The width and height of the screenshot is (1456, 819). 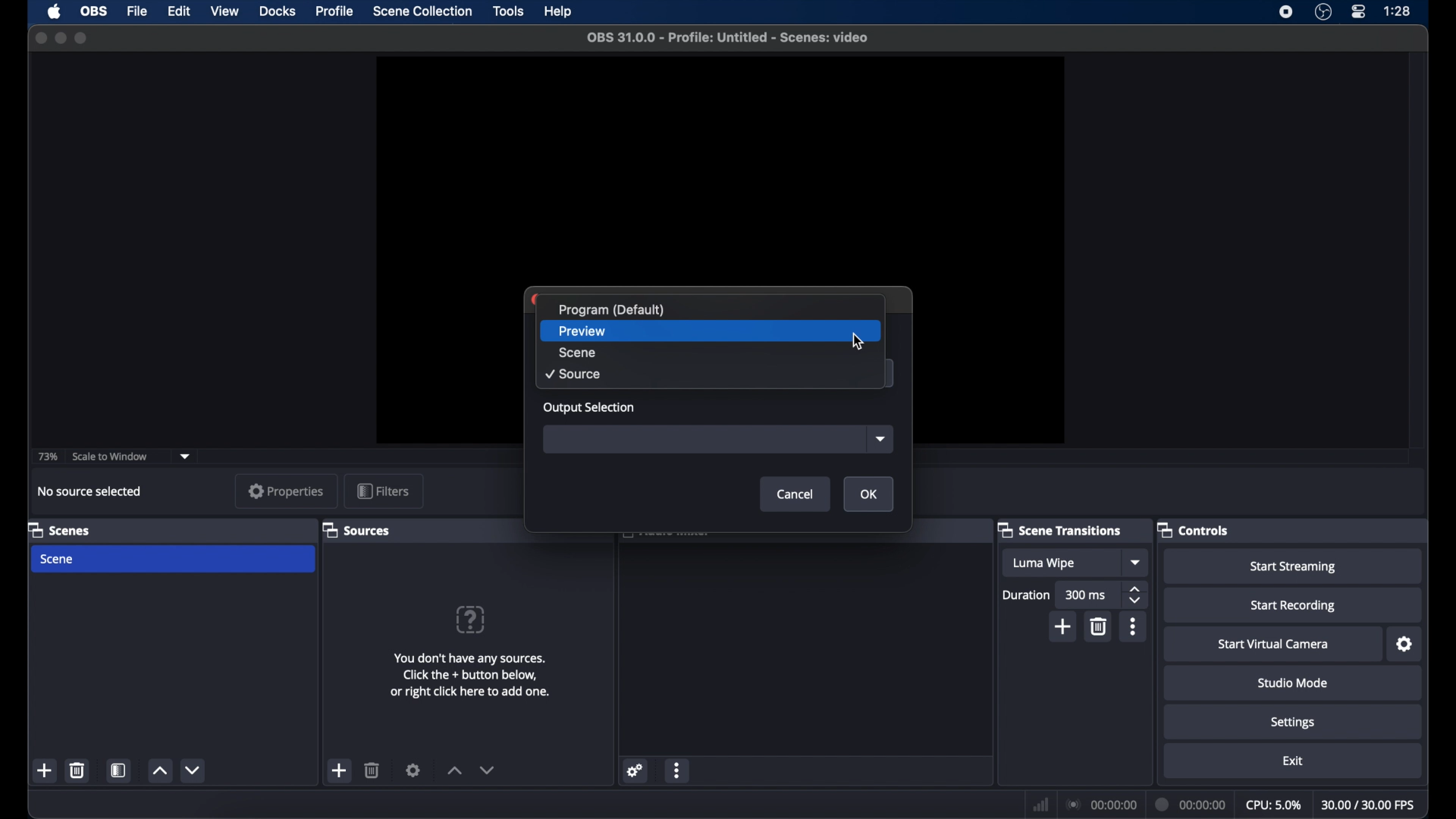 What do you see at coordinates (422, 12) in the screenshot?
I see `scene collection` at bounding box center [422, 12].